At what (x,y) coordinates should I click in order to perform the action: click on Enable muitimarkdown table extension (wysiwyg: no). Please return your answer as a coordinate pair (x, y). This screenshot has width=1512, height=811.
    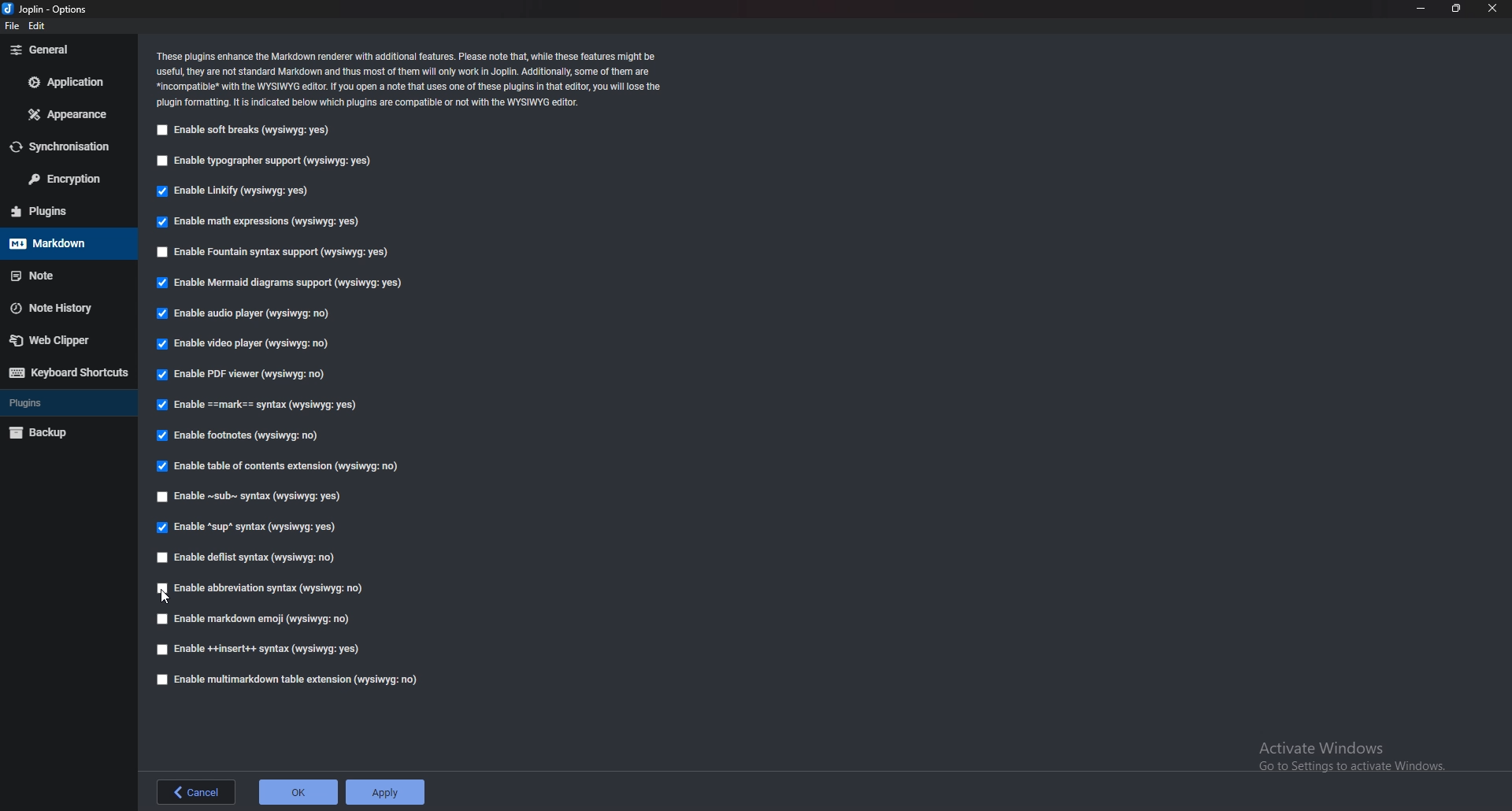
    Looking at the image, I should click on (287, 679).